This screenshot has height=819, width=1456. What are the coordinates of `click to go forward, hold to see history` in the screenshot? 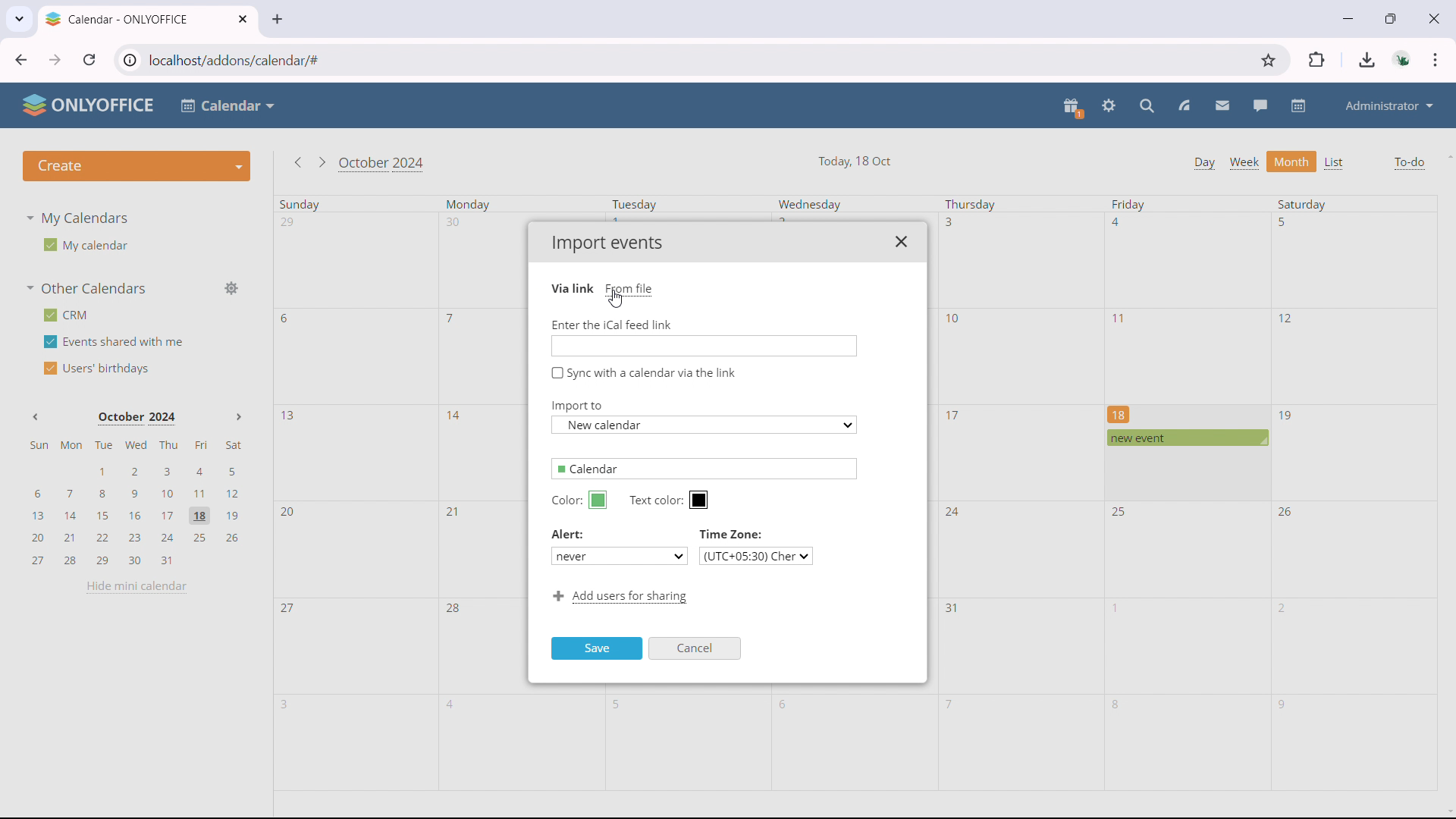 It's located at (55, 60).